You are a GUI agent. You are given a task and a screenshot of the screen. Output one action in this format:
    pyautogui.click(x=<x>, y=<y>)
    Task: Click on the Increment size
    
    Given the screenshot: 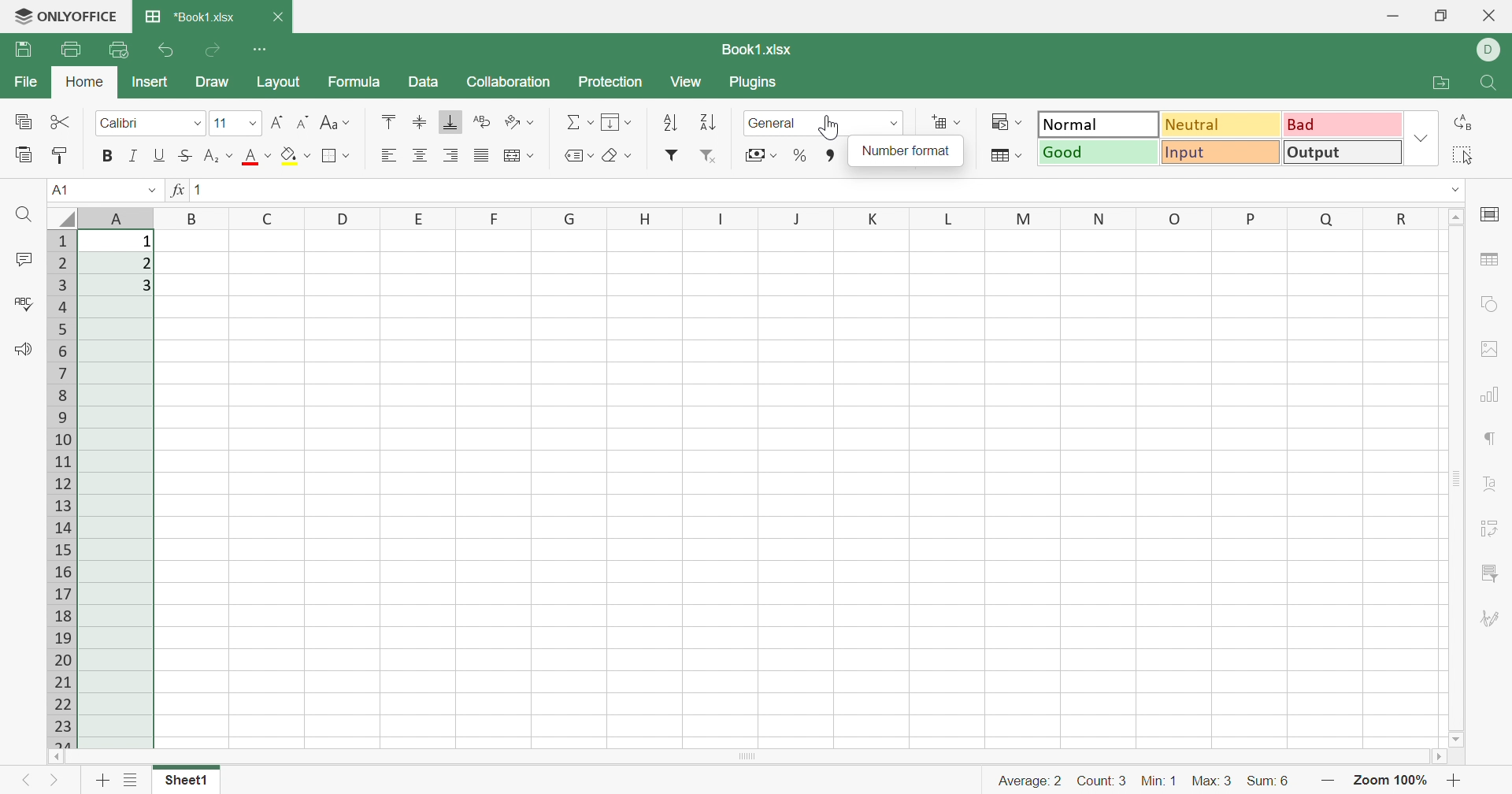 What is the action you would take?
    pyautogui.click(x=277, y=123)
    